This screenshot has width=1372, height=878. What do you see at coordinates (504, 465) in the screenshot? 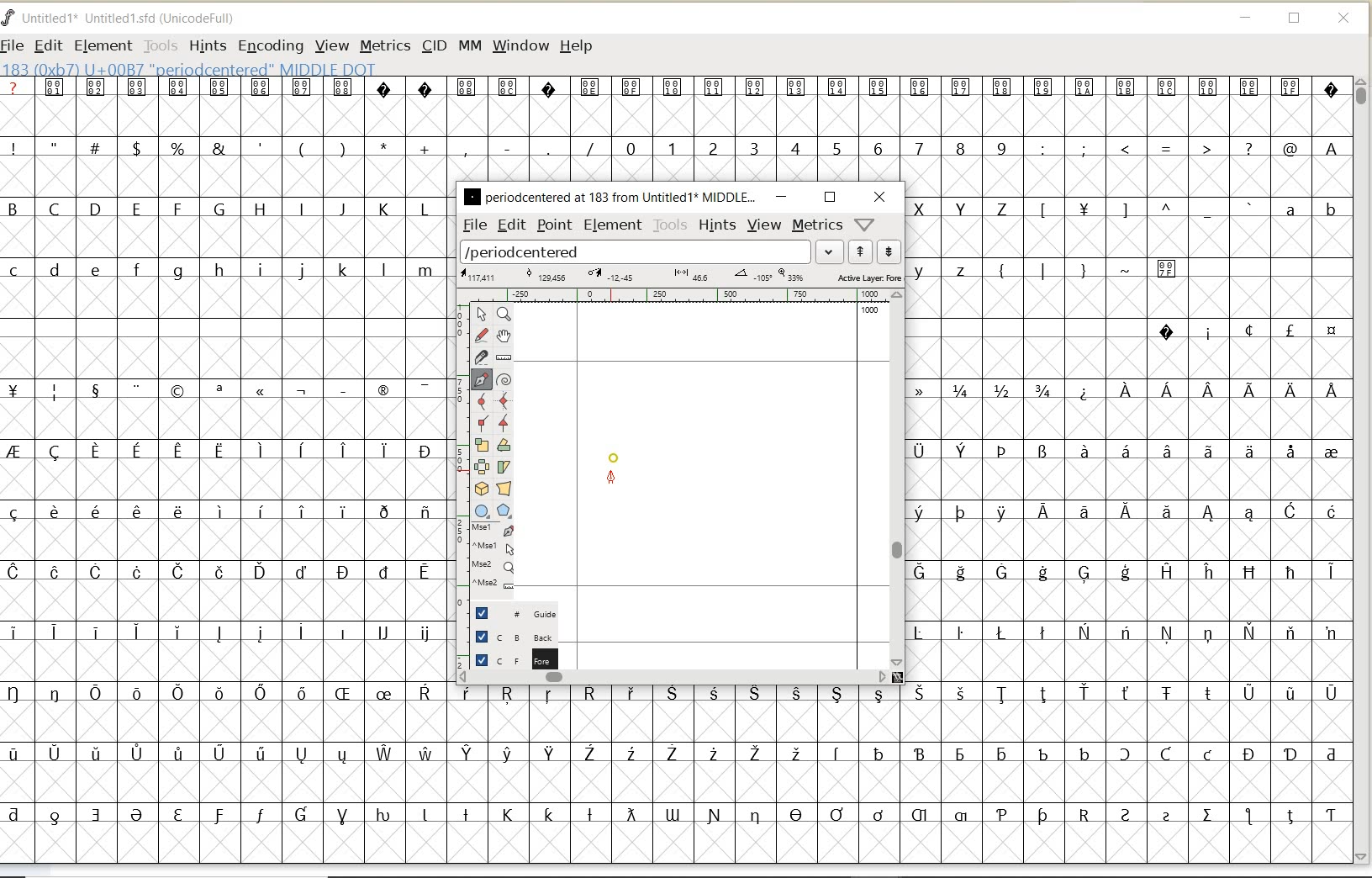
I see `skew the selection` at bounding box center [504, 465].